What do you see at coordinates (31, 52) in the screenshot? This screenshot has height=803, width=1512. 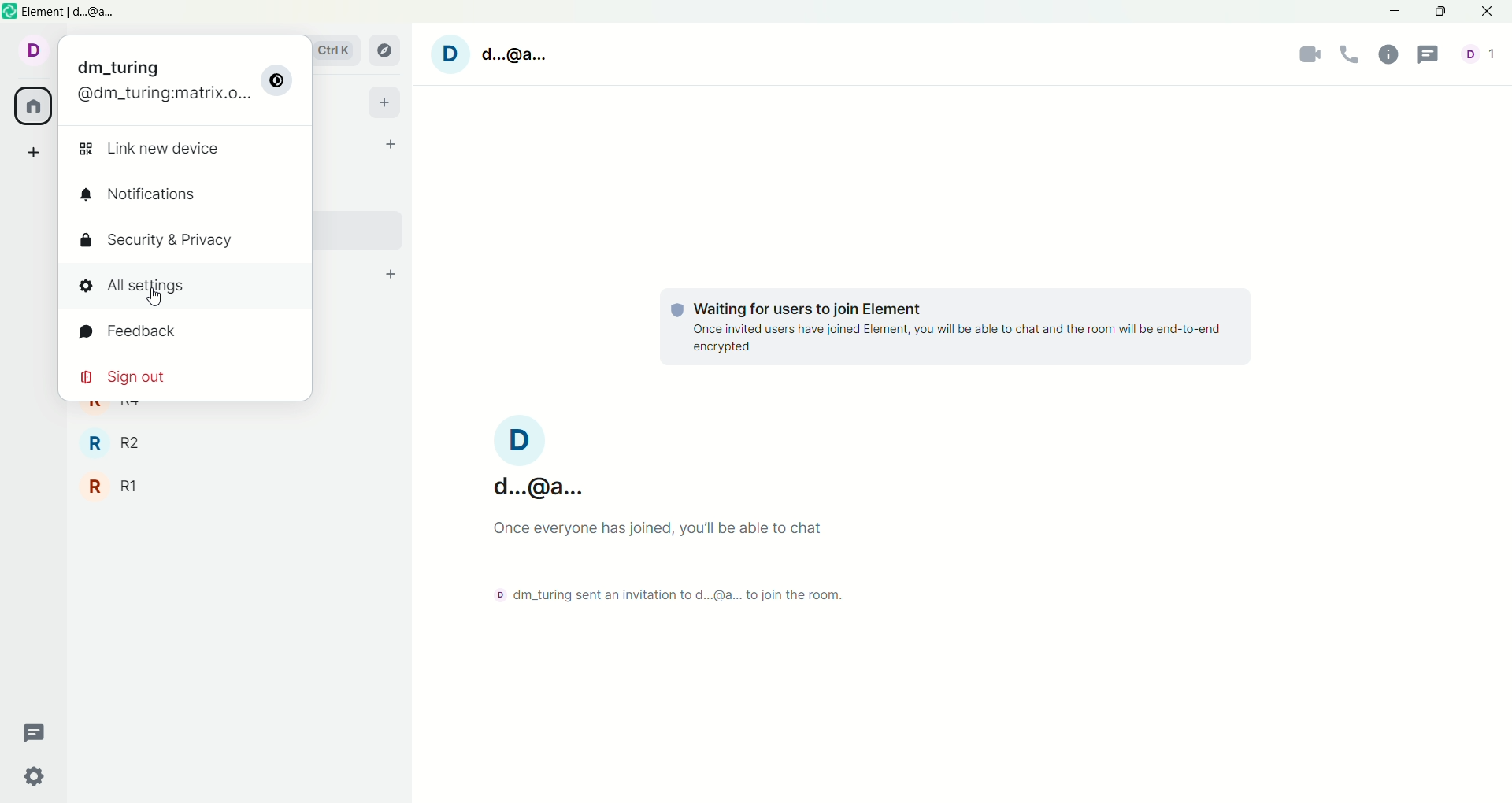 I see `account` at bounding box center [31, 52].